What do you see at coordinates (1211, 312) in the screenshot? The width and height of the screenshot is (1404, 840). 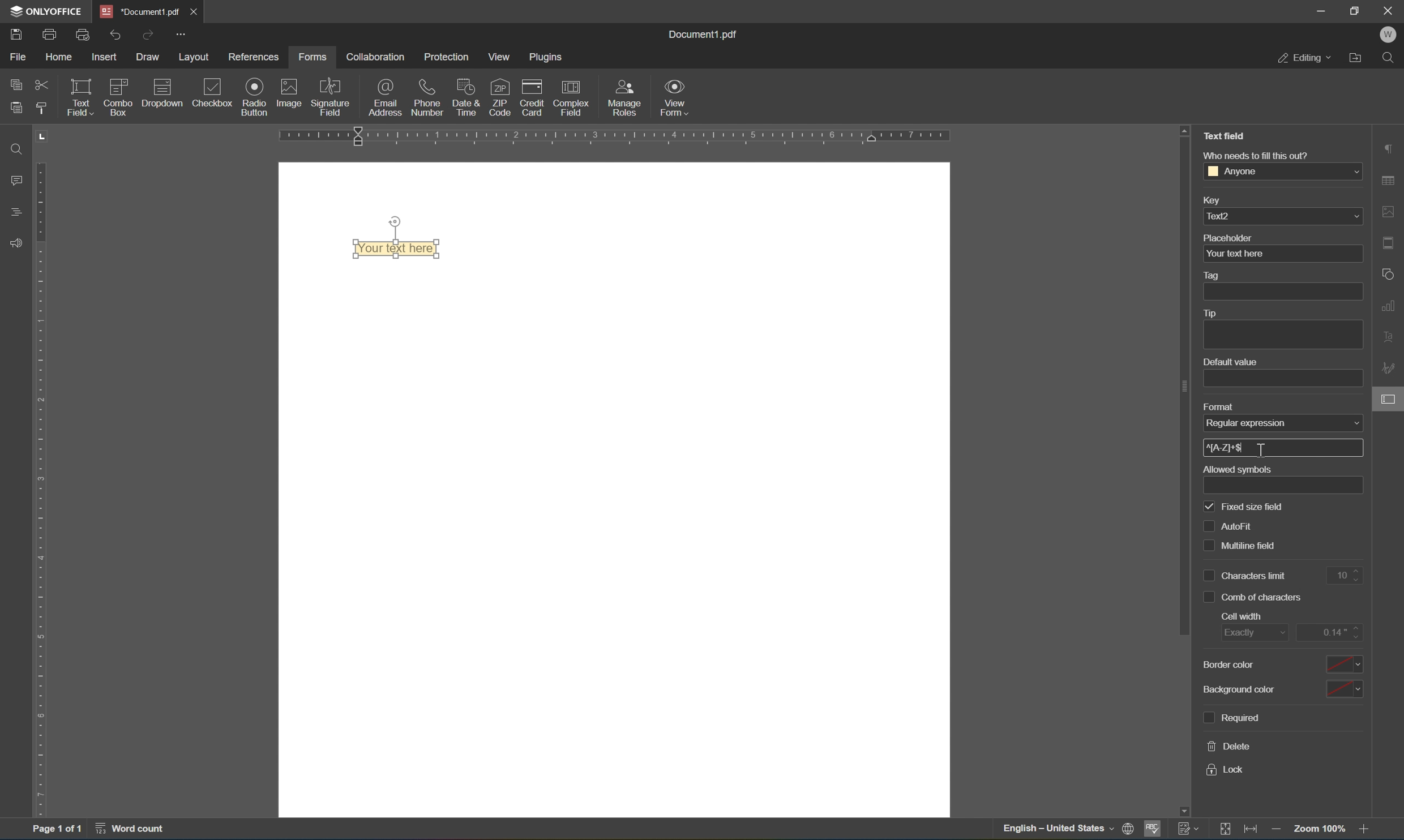 I see `tip` at bounding box center [1211, 312].